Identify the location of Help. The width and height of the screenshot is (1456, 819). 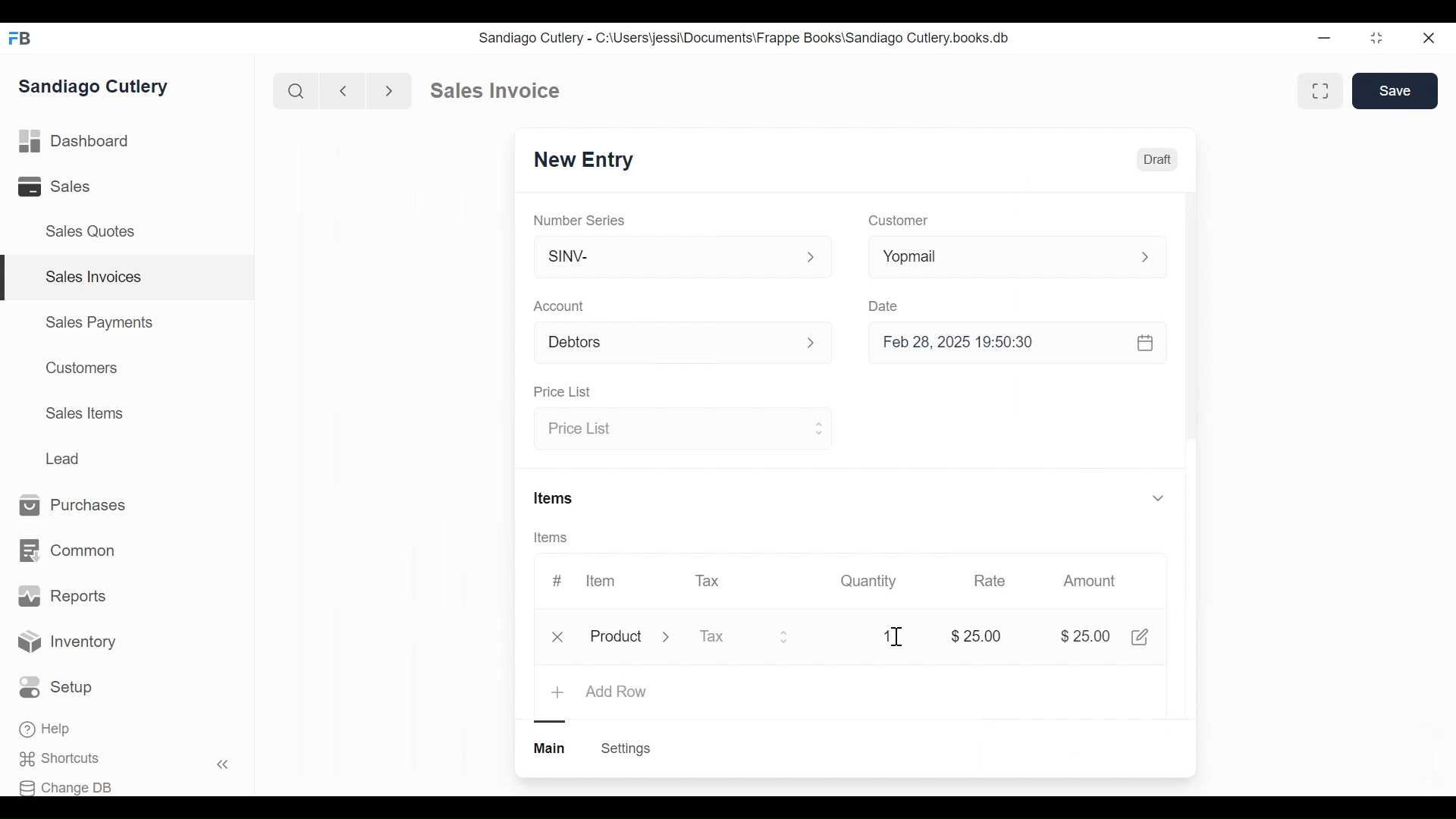
(46, 729).